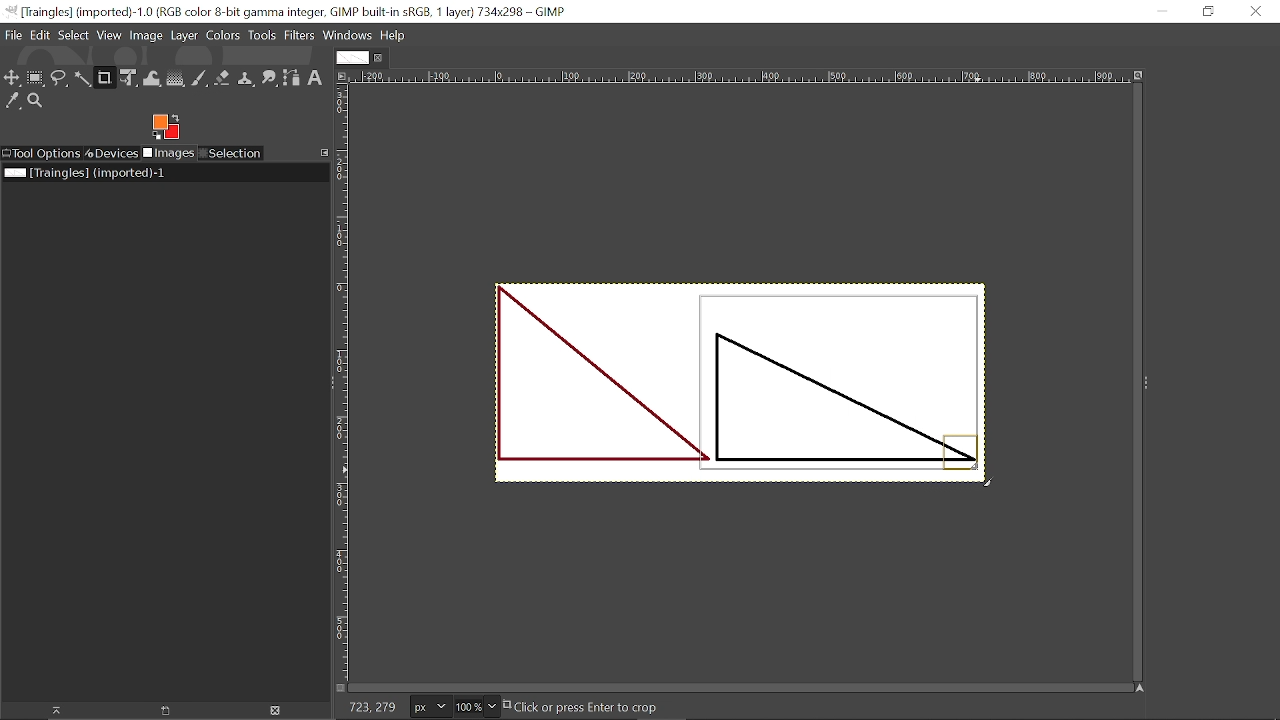 This screenshot has width=1280, height=720. What do you see at coordinates (112, 153) in the screenshot?
I see `Devices` at bounding box center [112, 153].